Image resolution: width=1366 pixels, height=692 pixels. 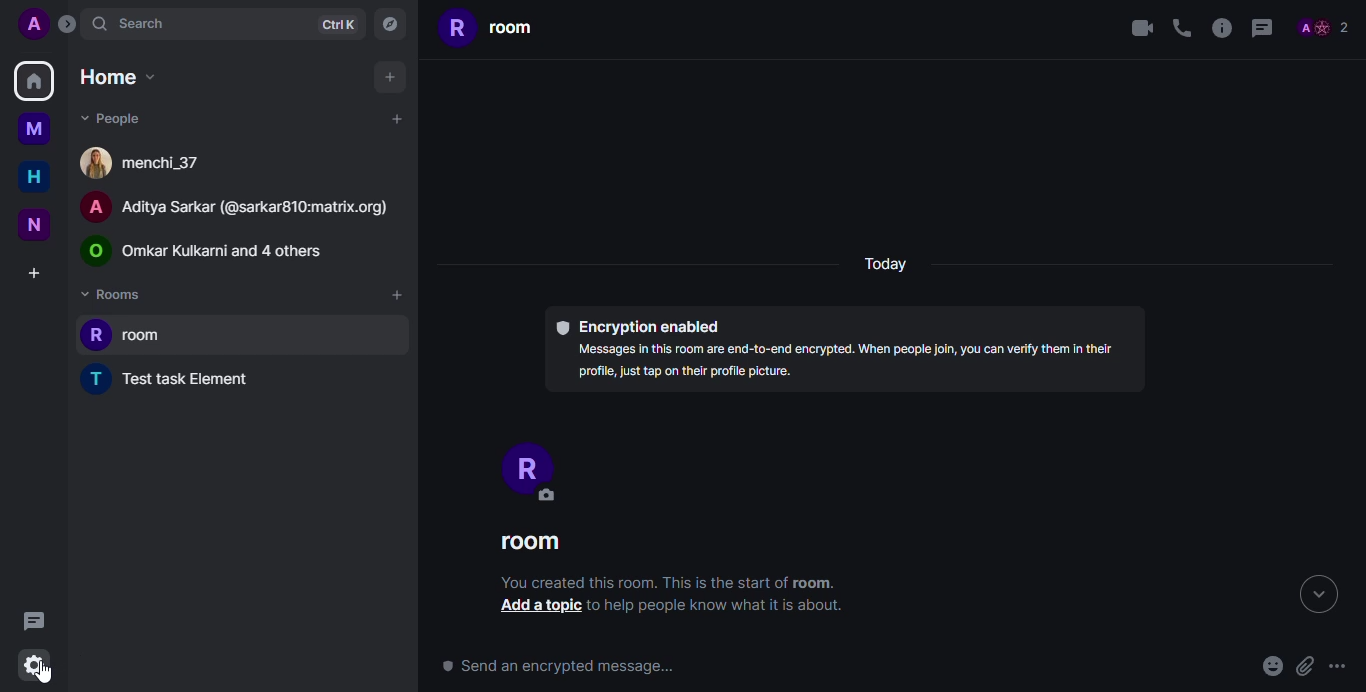 I want to click on video call, so click(x=1139, y=28).